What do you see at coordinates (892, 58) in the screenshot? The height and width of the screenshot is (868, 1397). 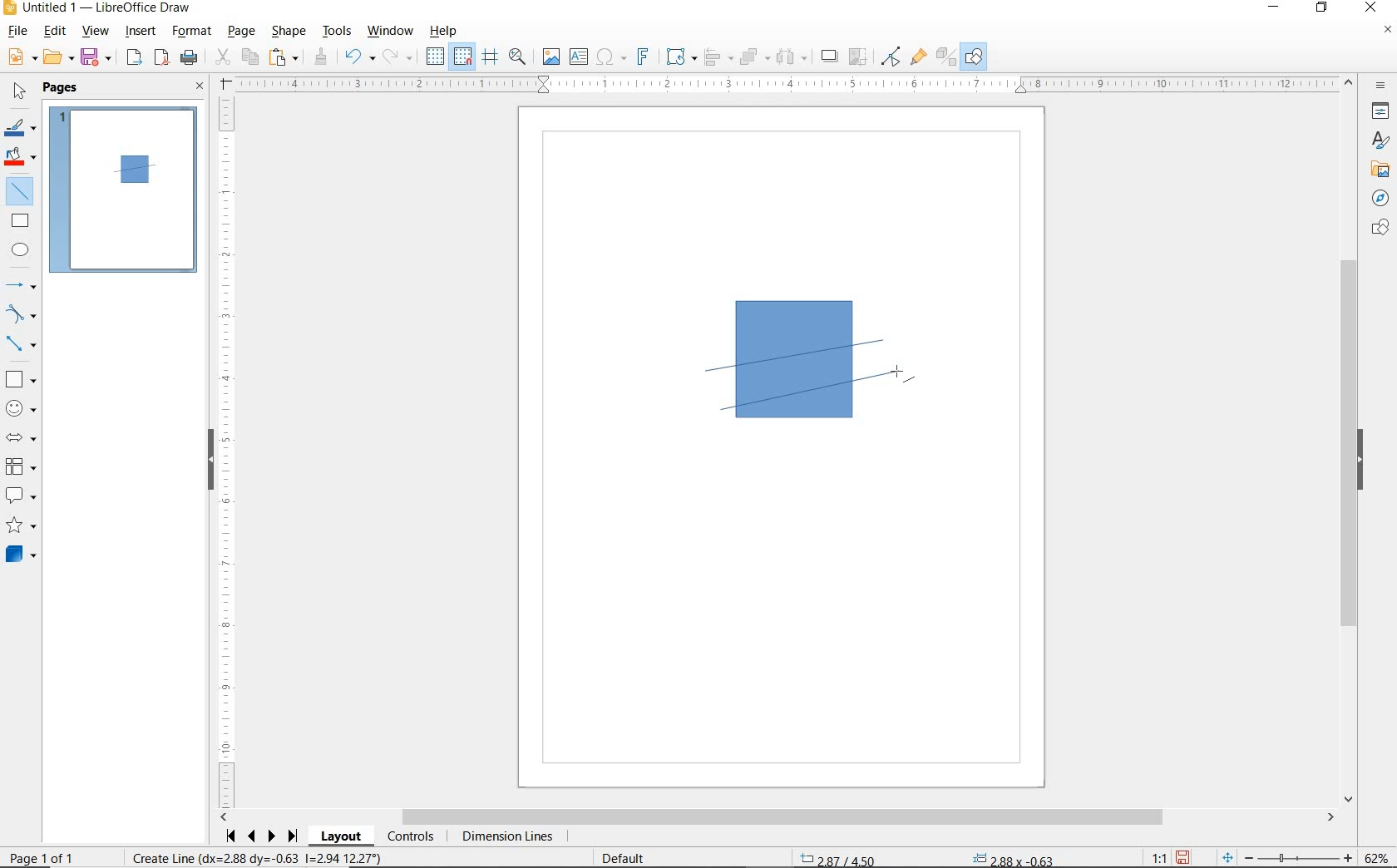 I see `TOGGLE POINT EDIT MODE` at bounding box center [892, 58].